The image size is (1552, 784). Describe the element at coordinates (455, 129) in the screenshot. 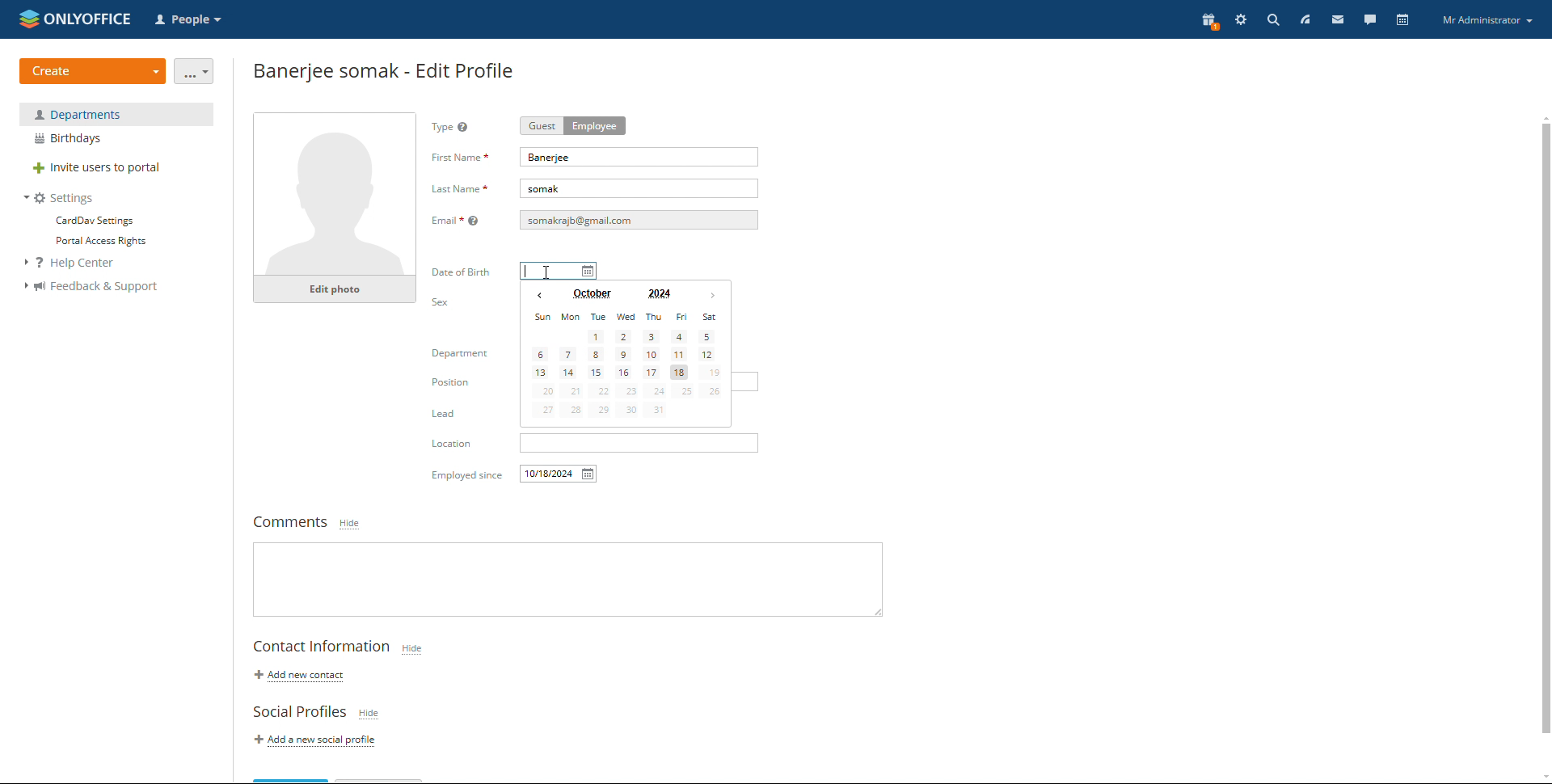

I see `type` at that location.